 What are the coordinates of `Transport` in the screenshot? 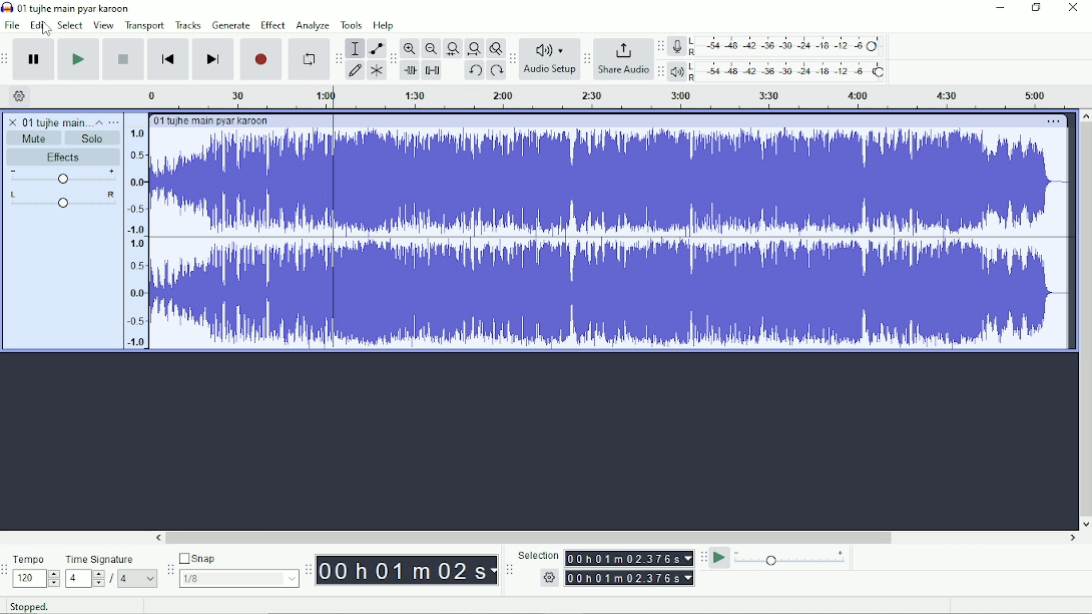 It's located at (145, 26).